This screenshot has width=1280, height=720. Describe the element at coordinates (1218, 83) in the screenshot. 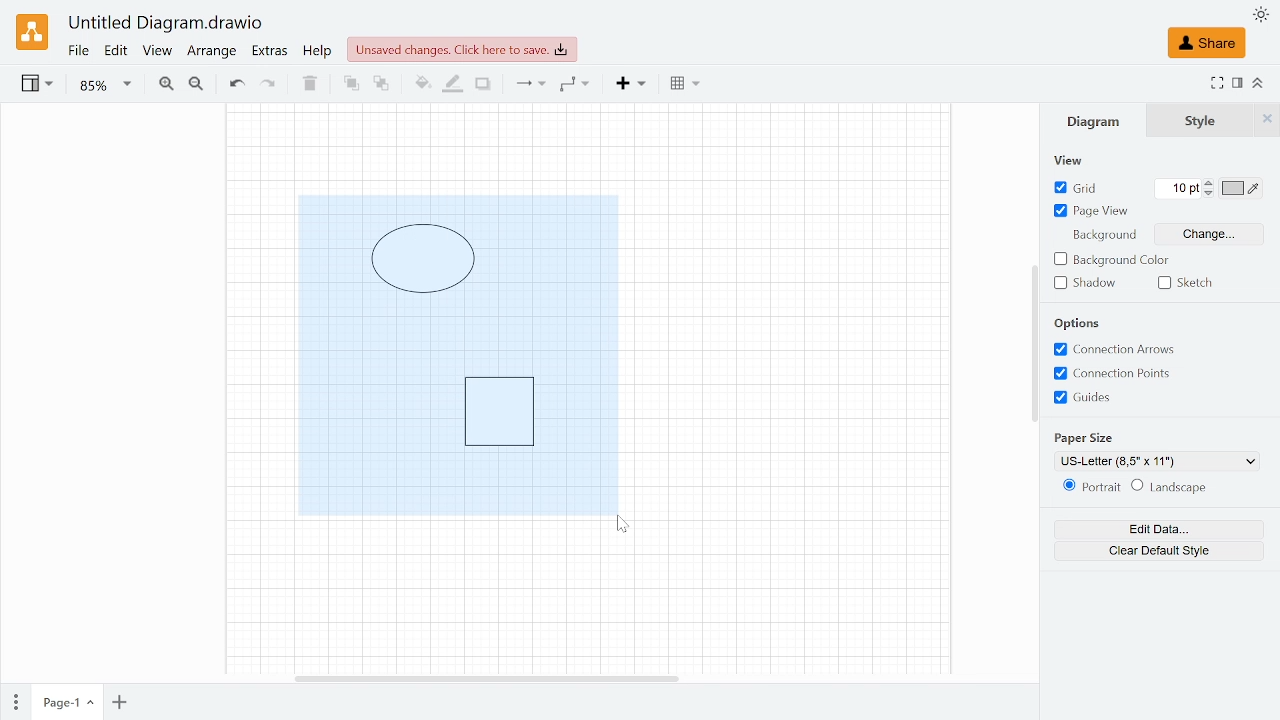

I see `` at that location.